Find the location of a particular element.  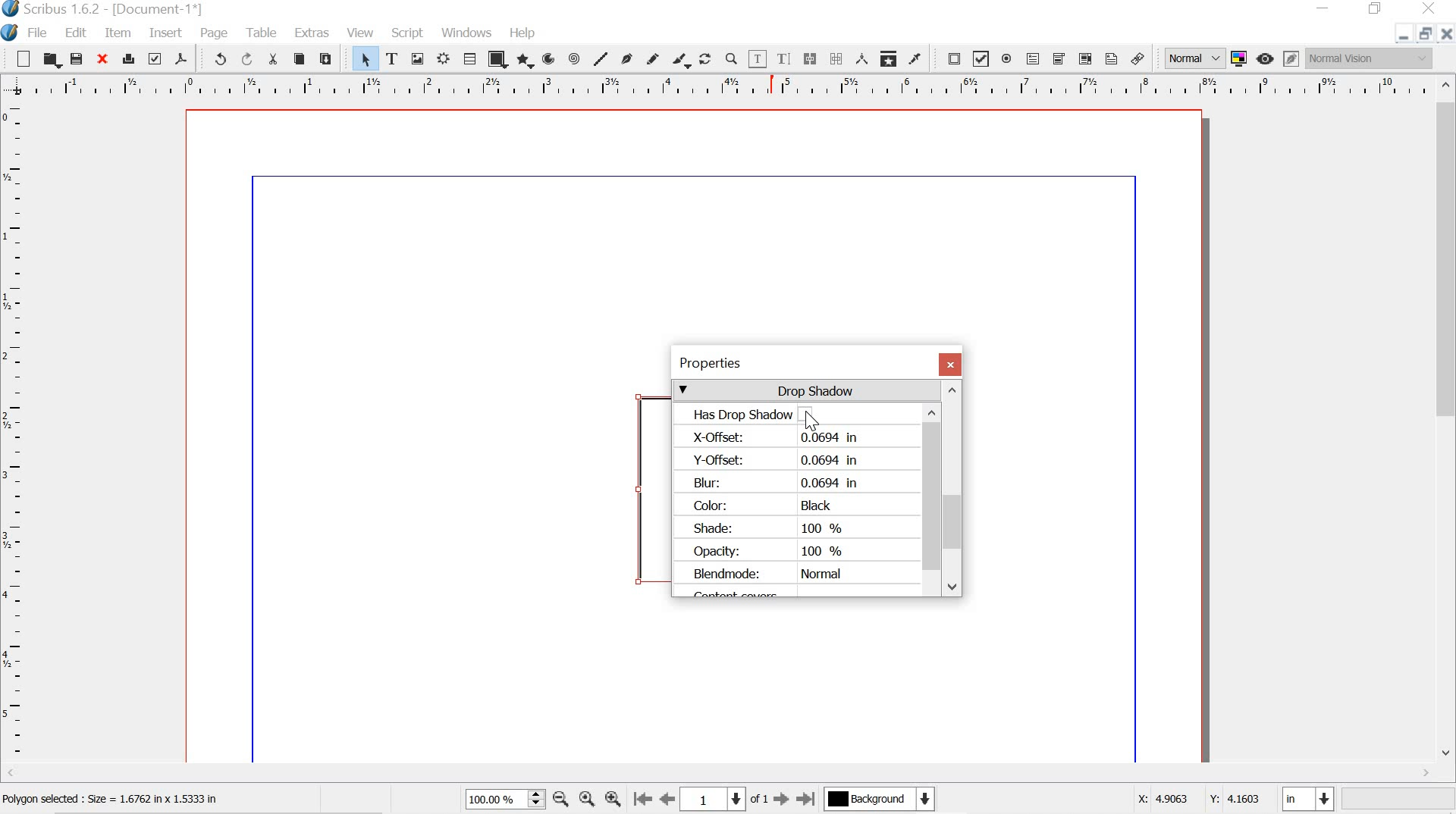

undo is located at coordinates (214, 58).